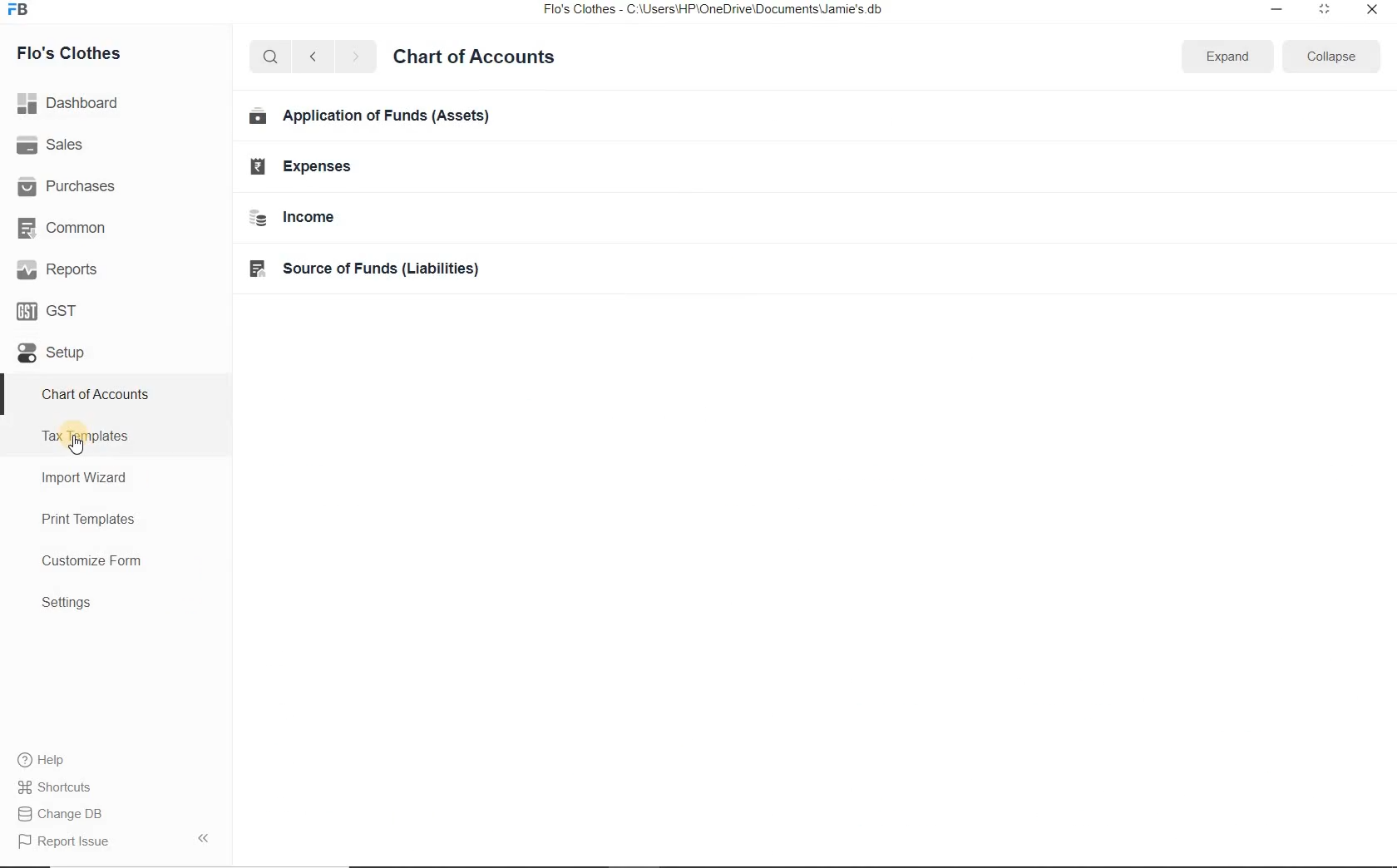  What do you see at coordinates (116, 144) in the screenshot?
I see `Sales` at bounding box center [116, 144].